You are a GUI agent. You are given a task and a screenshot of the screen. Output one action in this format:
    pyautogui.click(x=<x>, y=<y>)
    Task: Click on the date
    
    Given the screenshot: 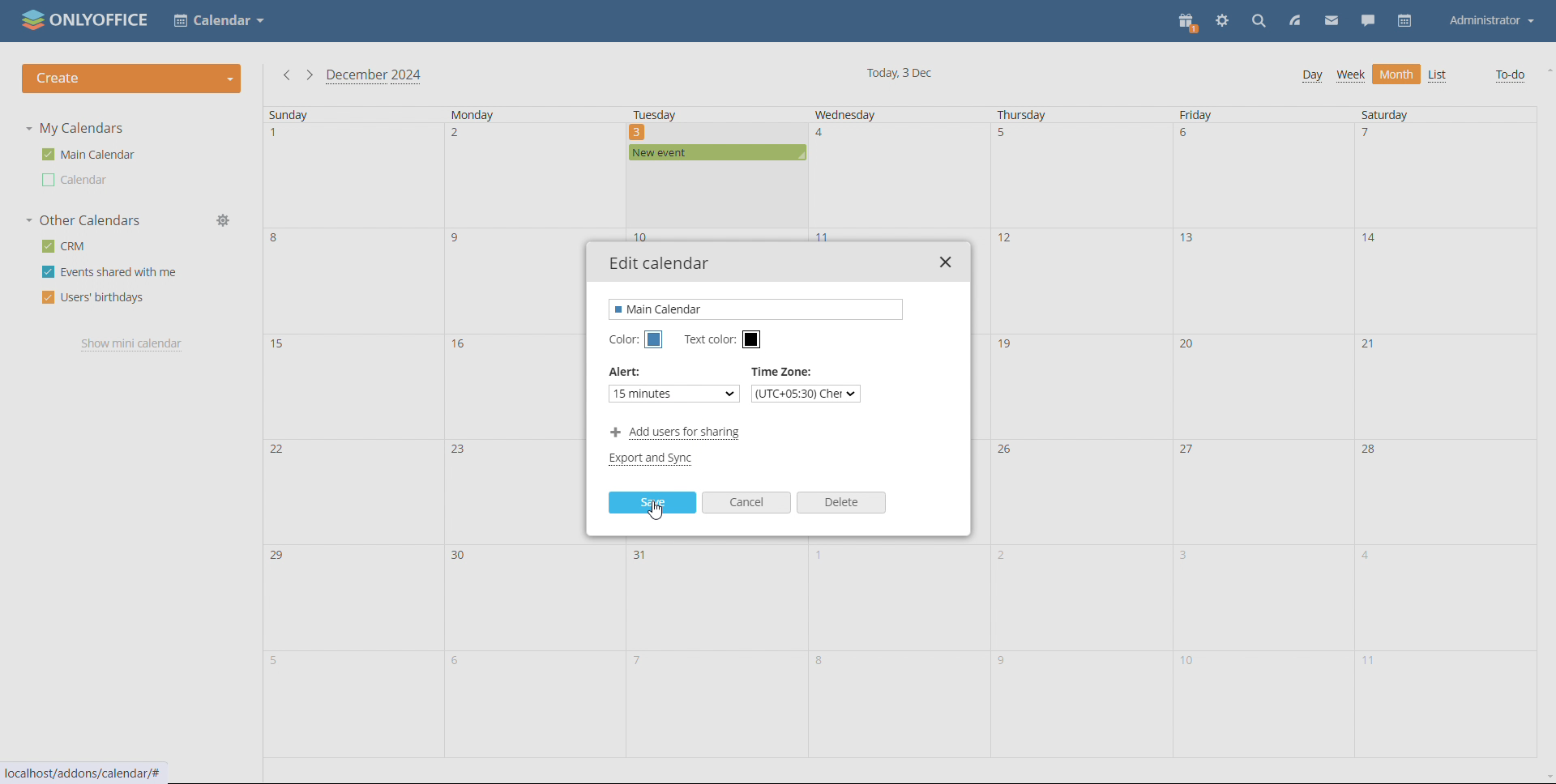 What is the action you would take?
    pyautogui.click(x=1263, y=492)
    